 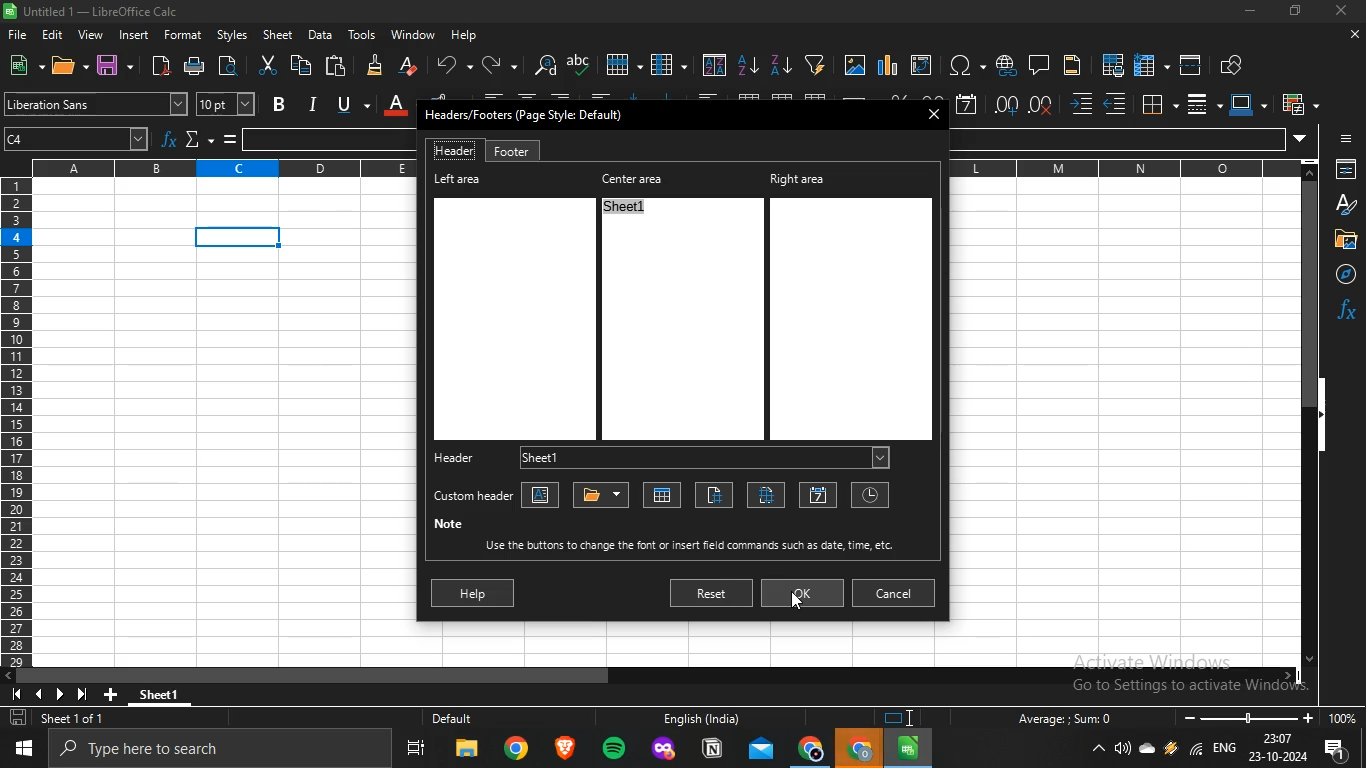 What do you see at coordinates (967, 103) in the screenshot?
I see `format as date` at bounding box center [967, 103].